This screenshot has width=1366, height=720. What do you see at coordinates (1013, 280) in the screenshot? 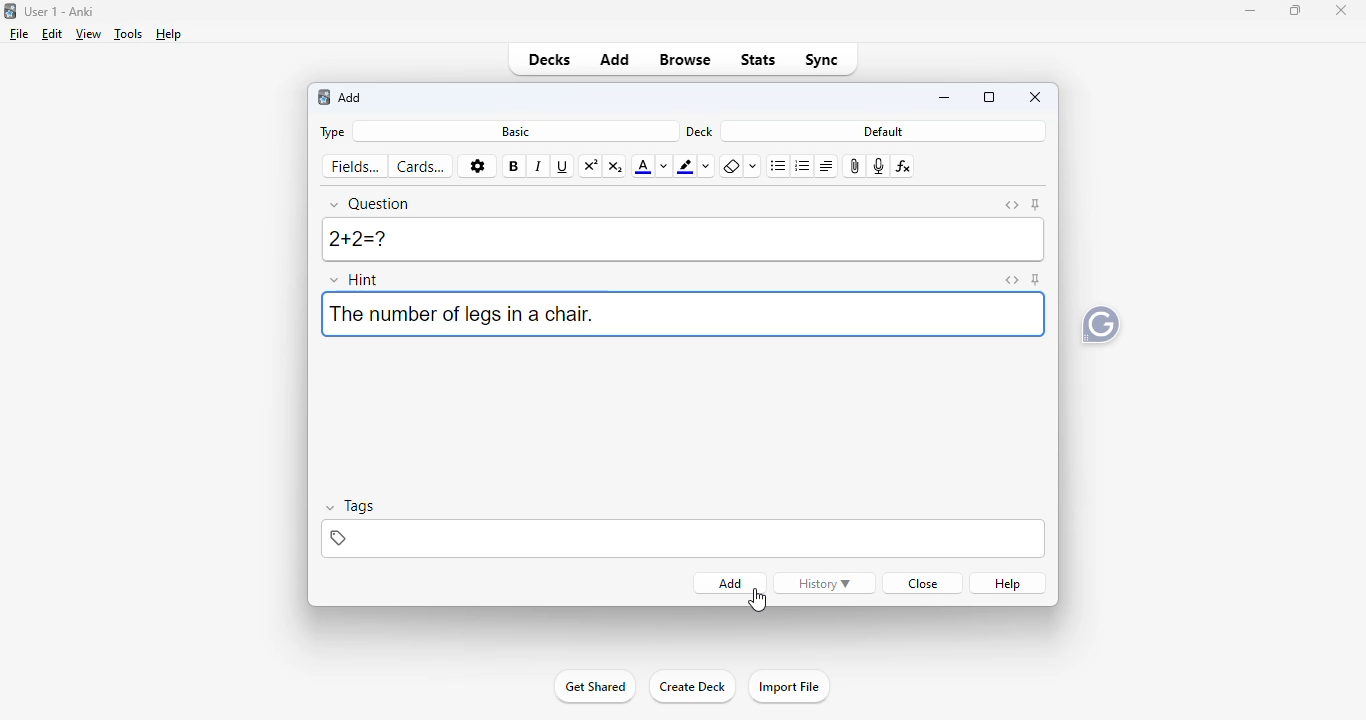
I see `toggle HTML editor` at bounding box center [1013, 280].